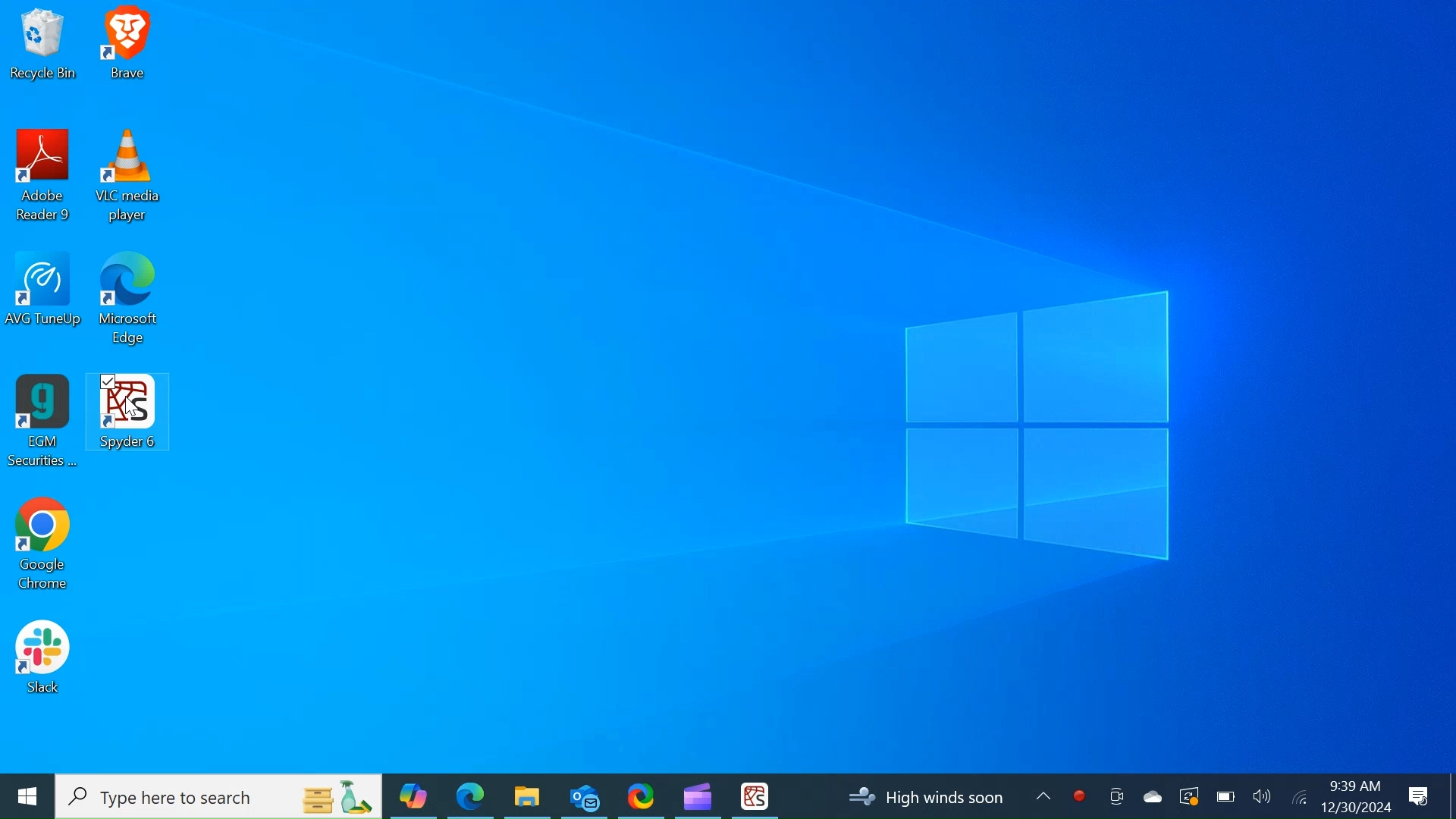 The image size is (1456, 819). What do you see at coordinates (42, 422) in the screenshot?
I see `EGM Securities Desktop Icon` at bounding box center [42, 422].